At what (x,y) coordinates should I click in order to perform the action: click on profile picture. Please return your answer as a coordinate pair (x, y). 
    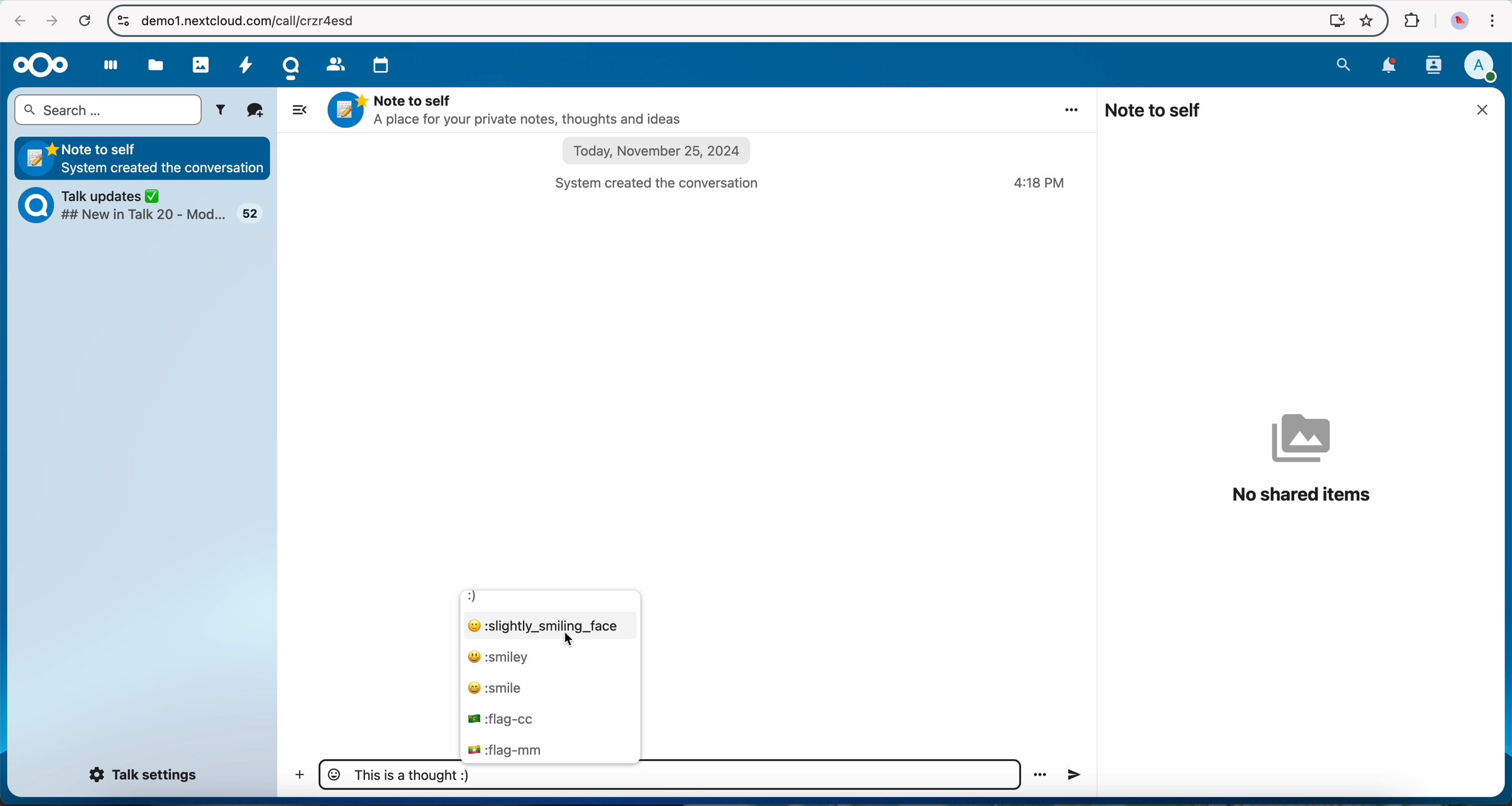
    Looking at the image, I should click on (1456, 21).